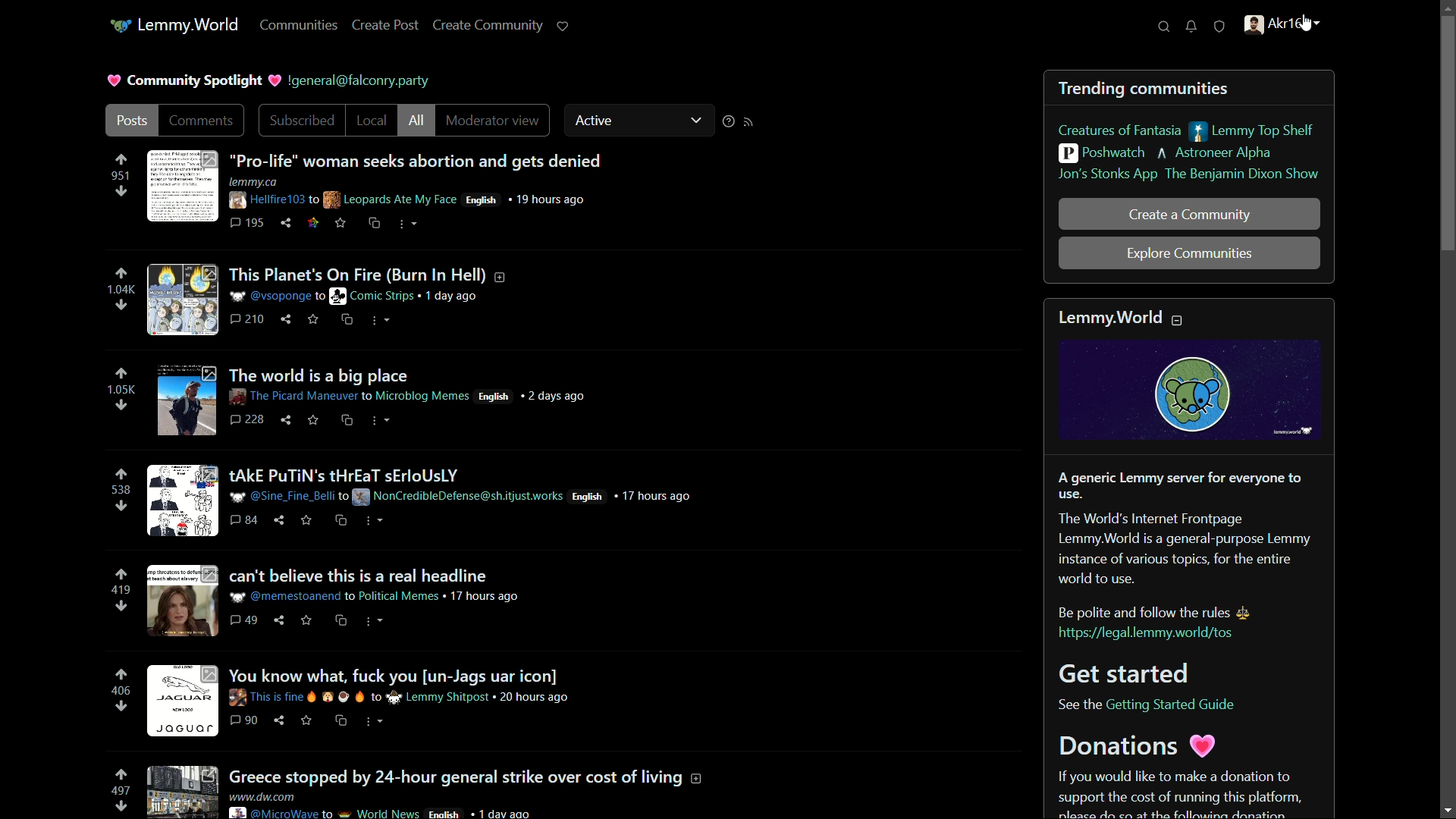 The image size is (1456, 819). Describe the element at coordinates (563, 24) in the screenshot. I see `support lemmy.world` at that location.